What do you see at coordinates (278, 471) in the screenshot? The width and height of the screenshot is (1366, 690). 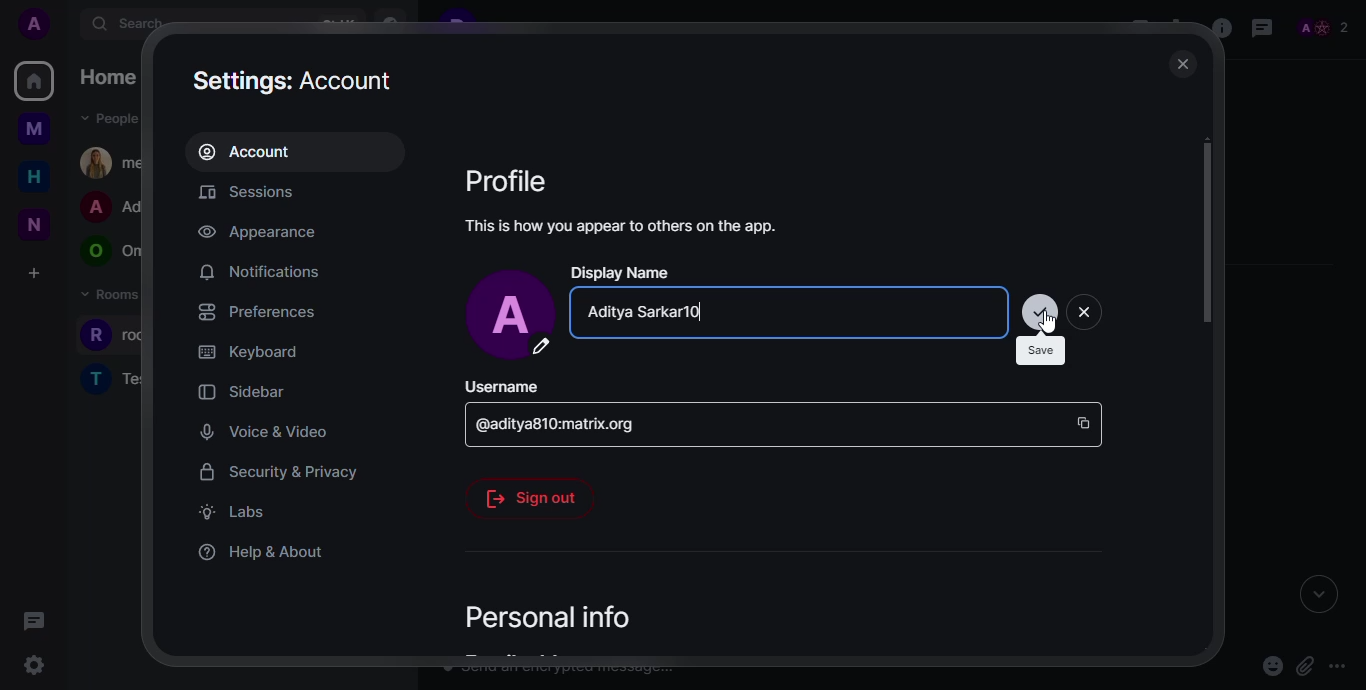 I see `security` at bounding box center [278, 471].